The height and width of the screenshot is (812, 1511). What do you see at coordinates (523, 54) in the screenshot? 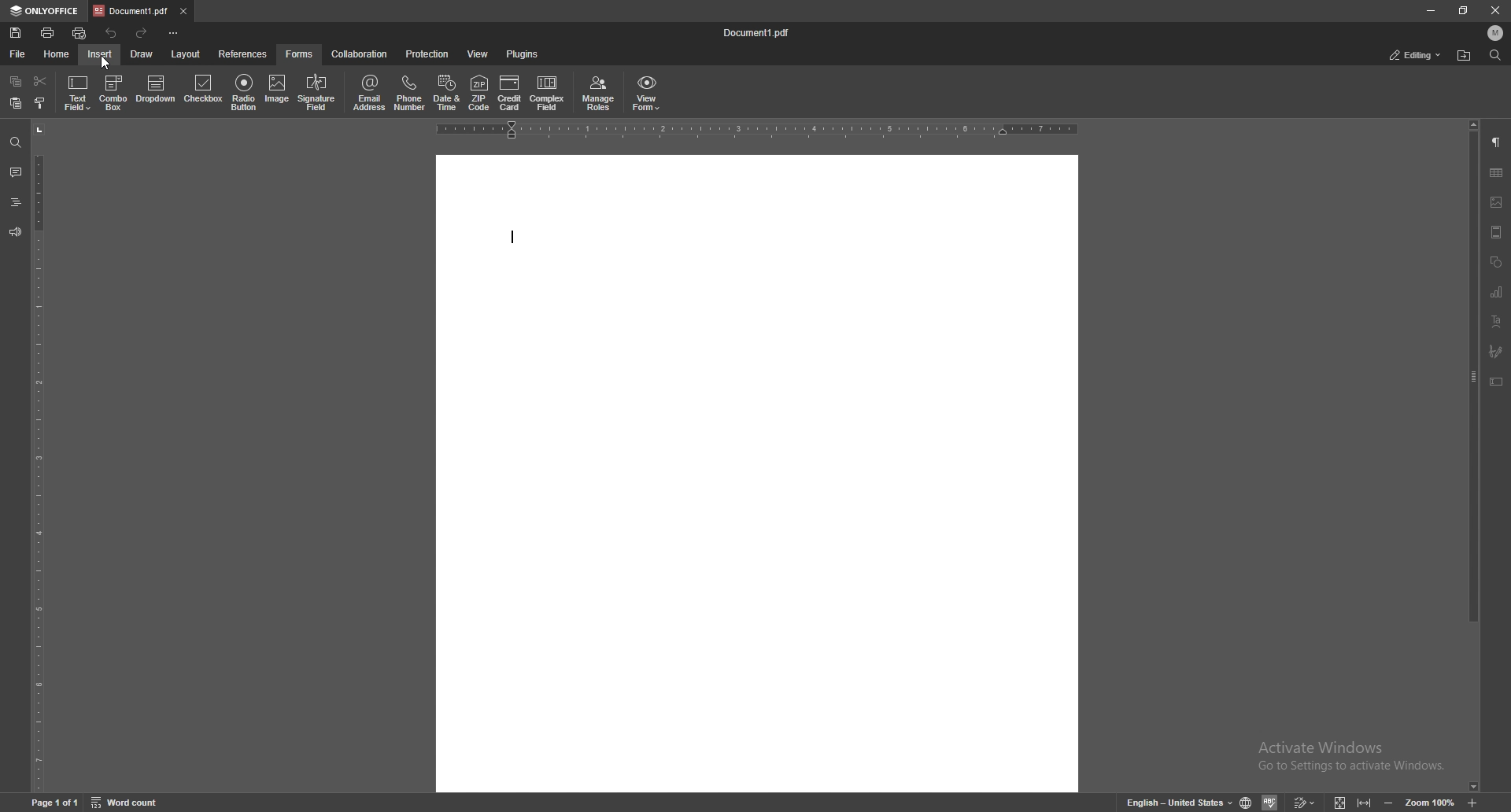
I see `plugins` at bounding box center [523, 54].